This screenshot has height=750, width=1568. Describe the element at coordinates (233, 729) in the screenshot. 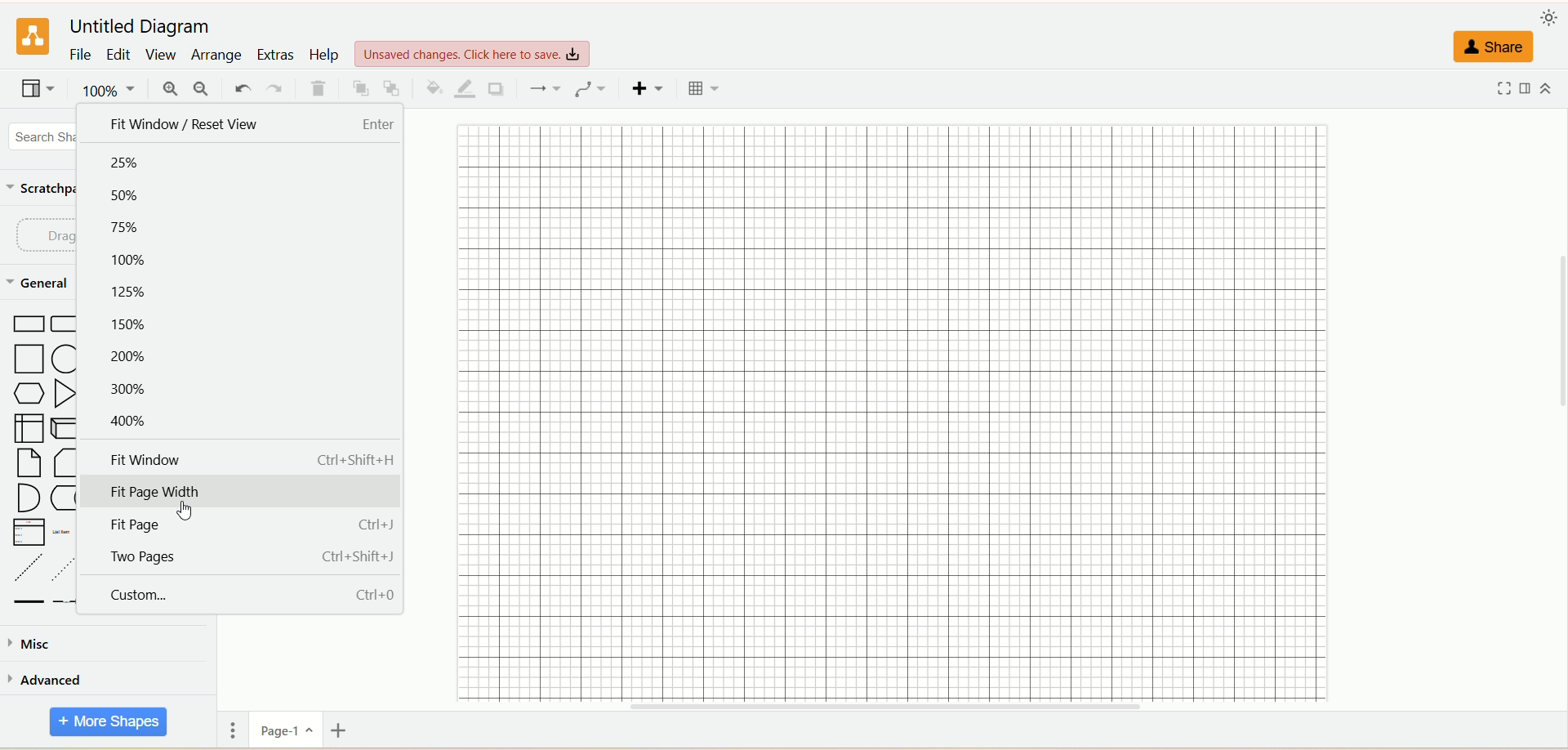

I see `pages` at that location.